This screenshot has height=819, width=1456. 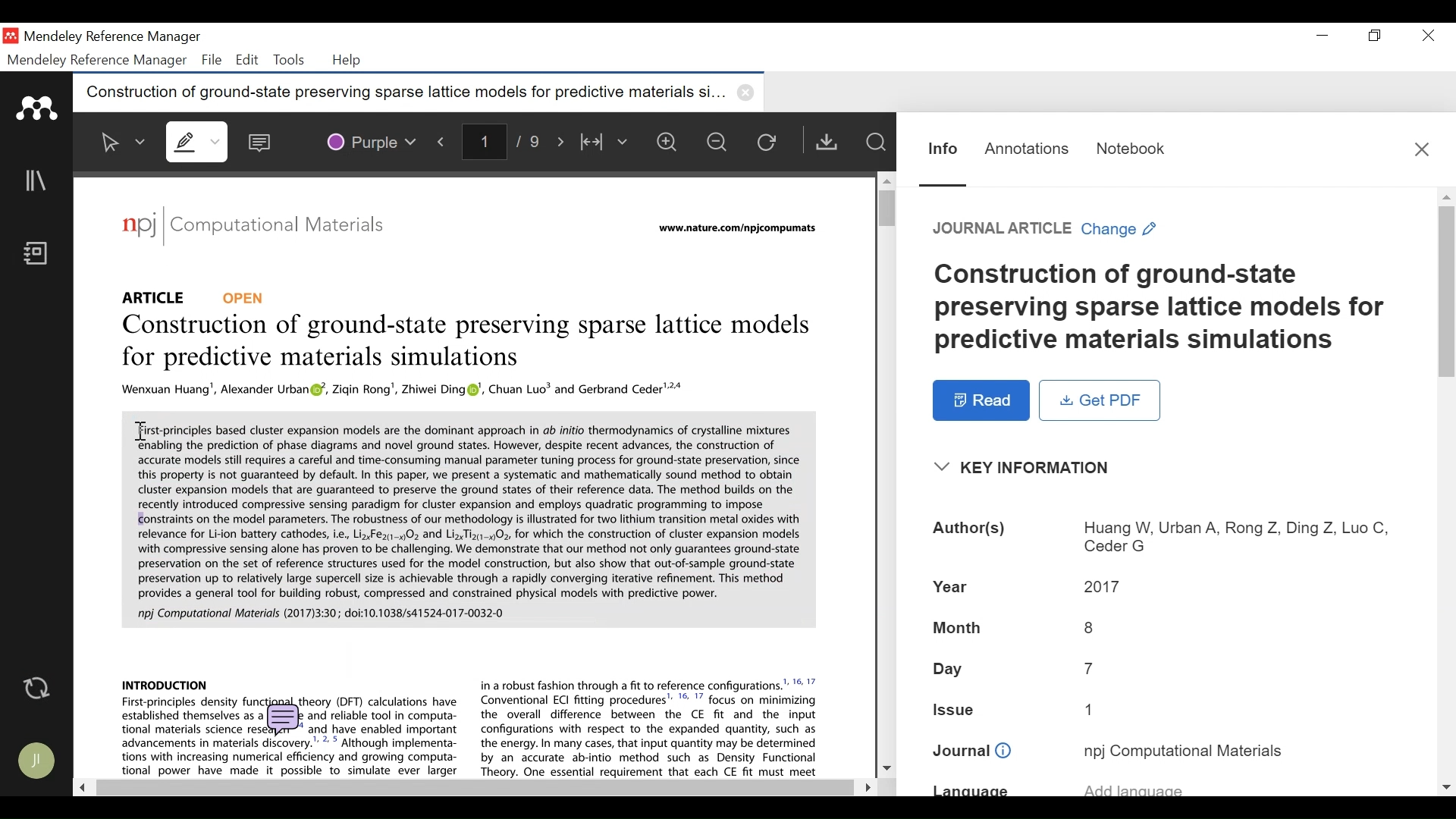 I want to click on Scroll up, so click(x=1446, y=196).